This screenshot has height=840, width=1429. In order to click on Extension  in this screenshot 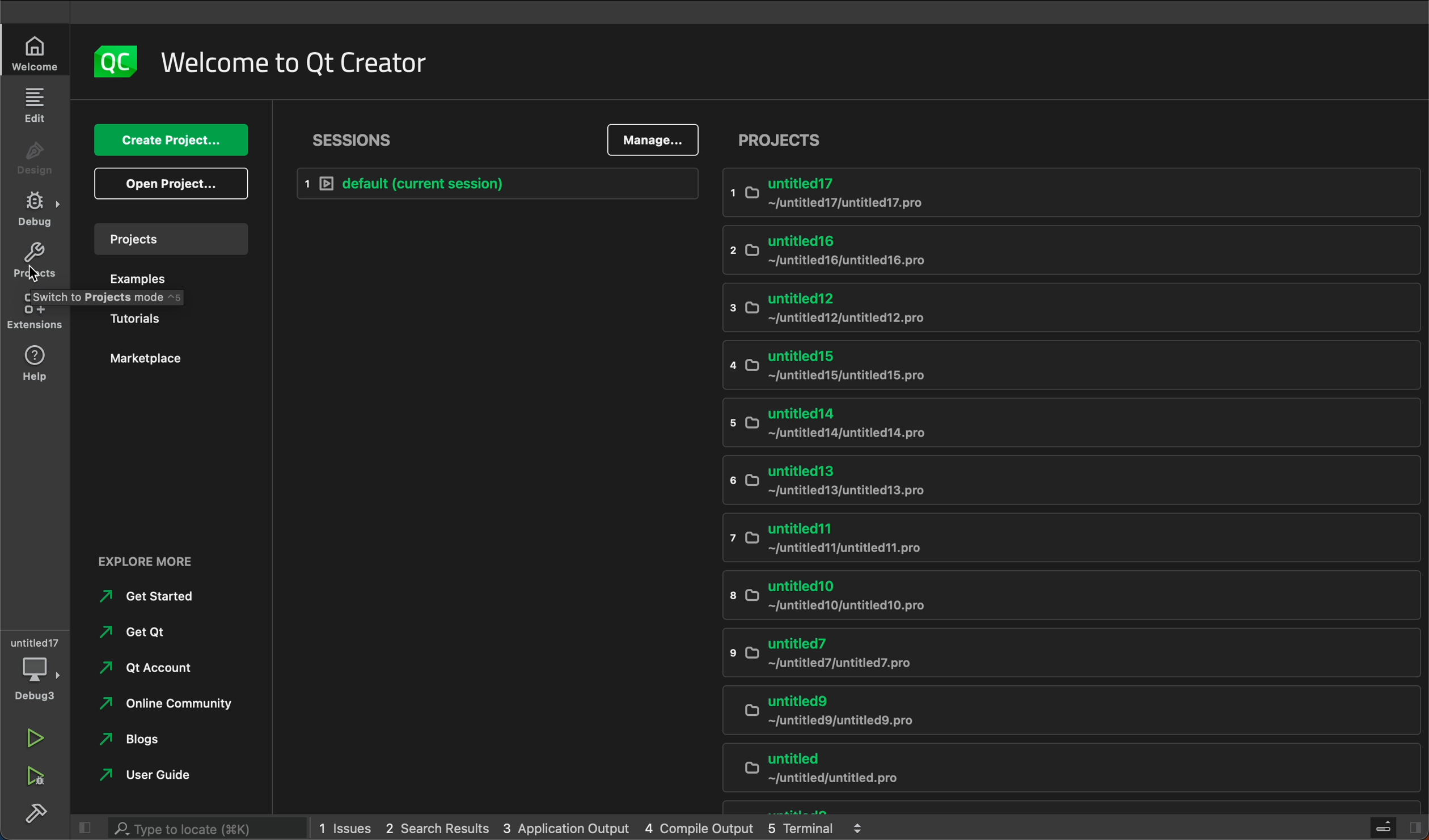, I will do `click(33, 310)`.